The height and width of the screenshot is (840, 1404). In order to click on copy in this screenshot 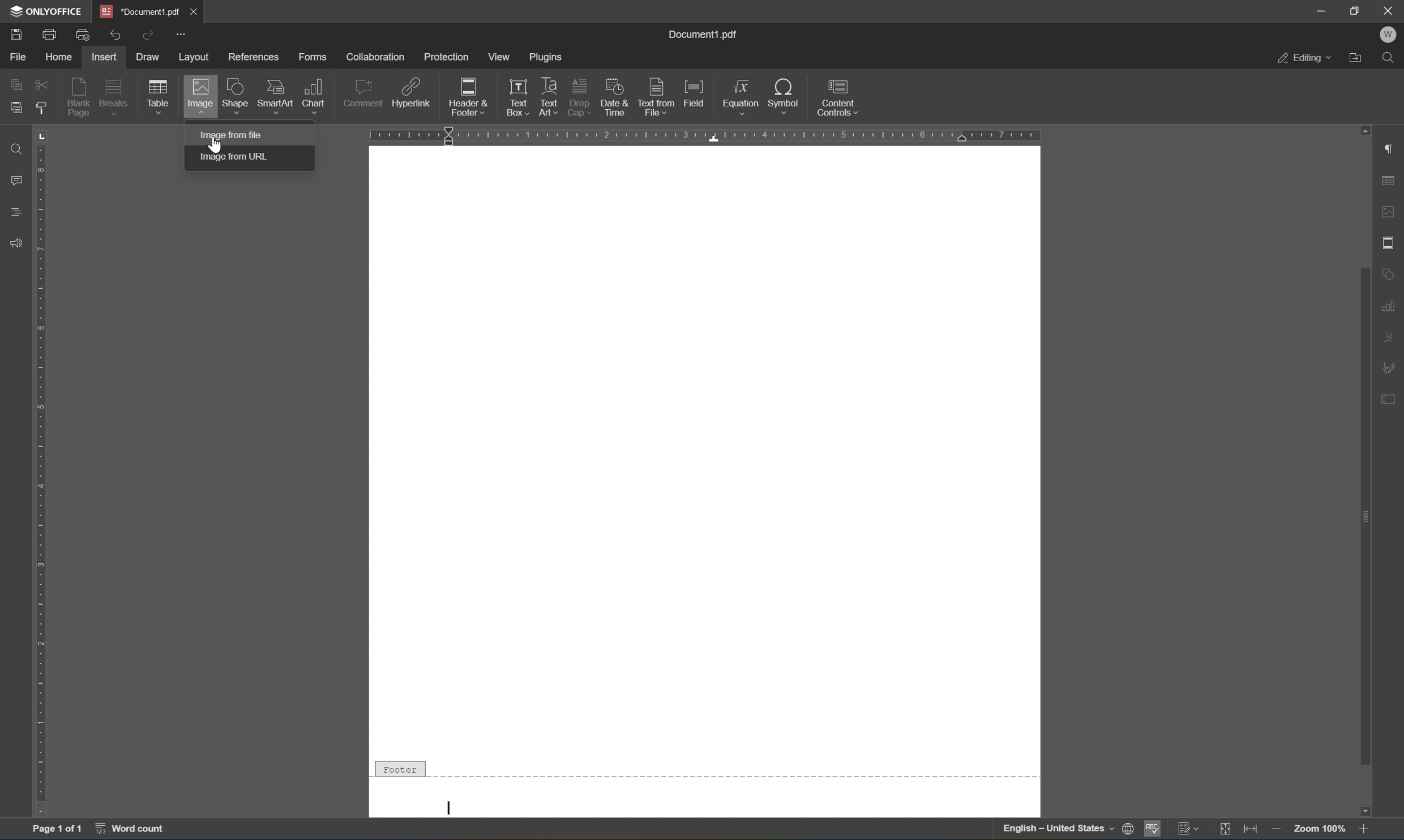, I will do `click(19, 85)`.